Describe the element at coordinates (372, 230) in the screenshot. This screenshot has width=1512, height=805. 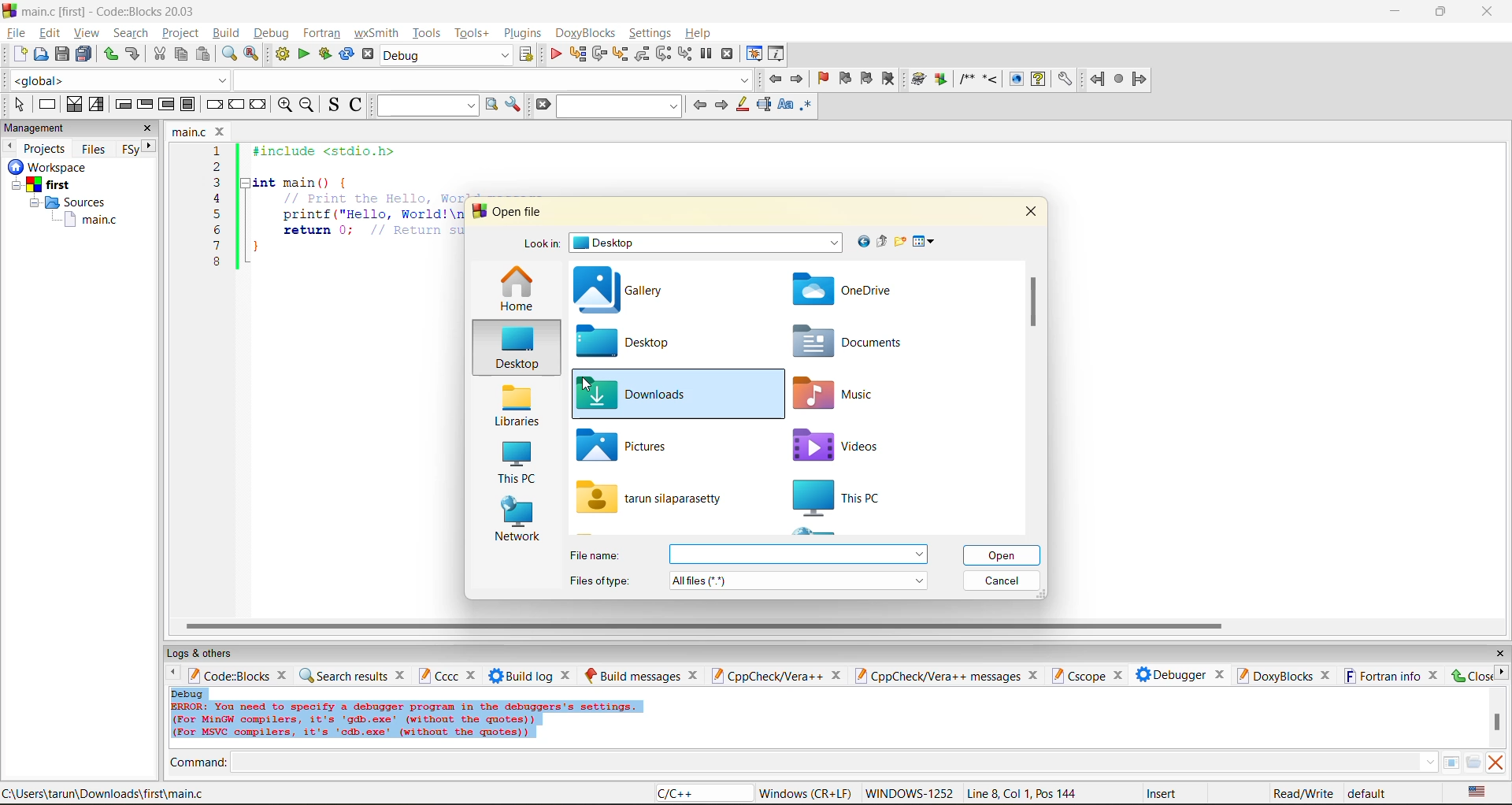
I see `return 0` at that location.